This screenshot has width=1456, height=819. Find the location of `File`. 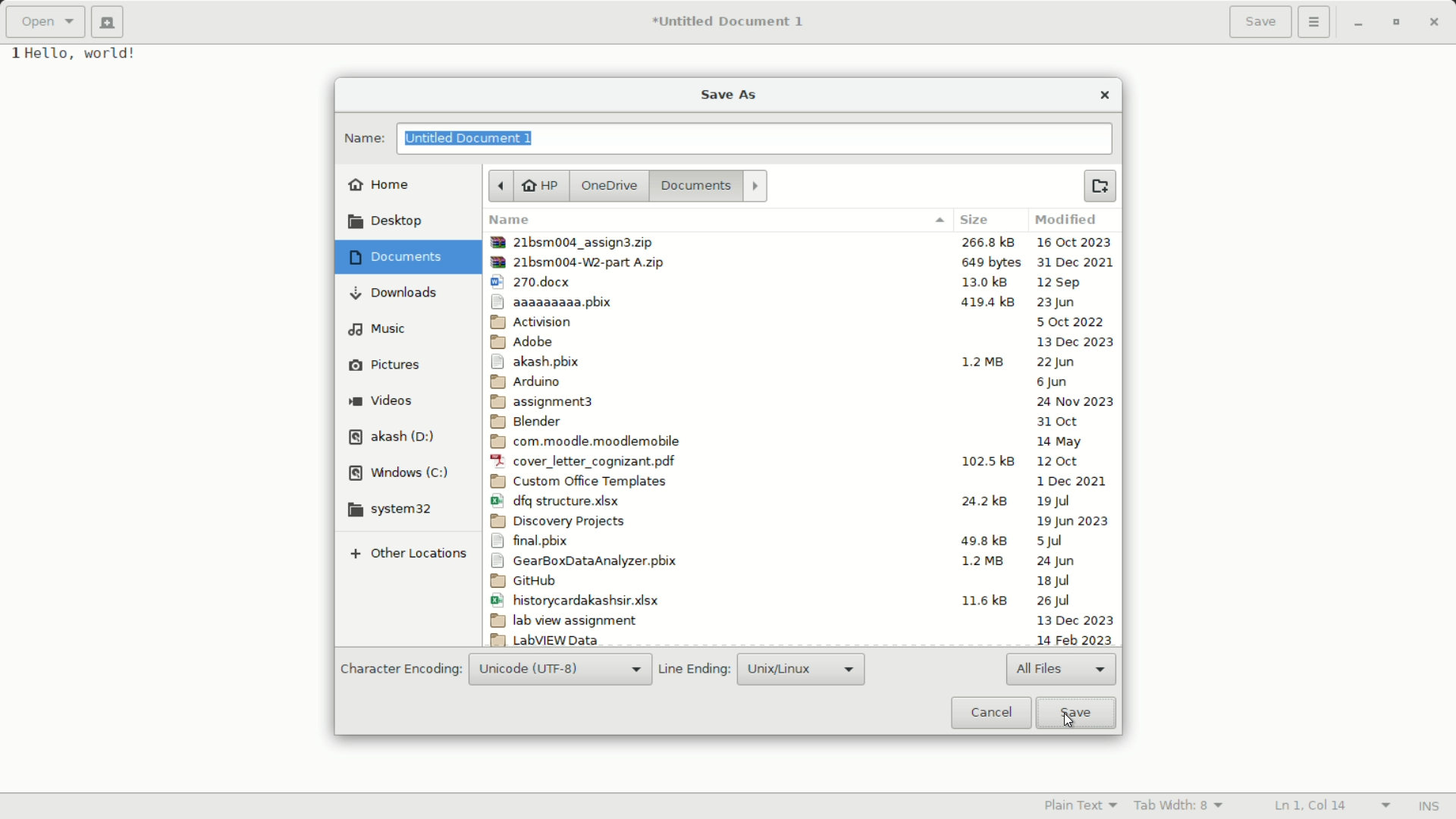

File is located at coordinates (798, 639).